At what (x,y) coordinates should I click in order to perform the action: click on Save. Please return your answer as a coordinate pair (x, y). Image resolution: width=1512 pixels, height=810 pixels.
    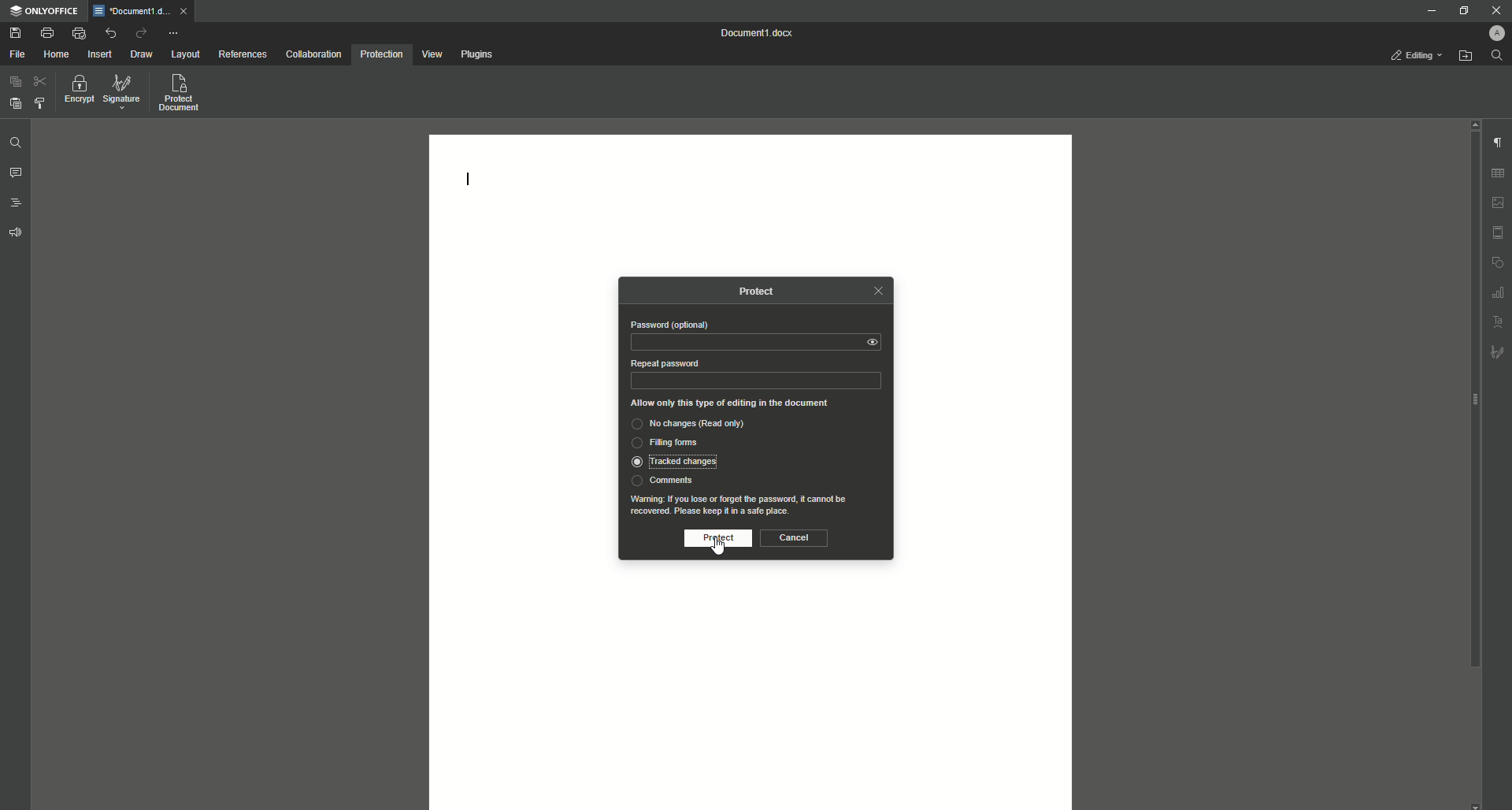
    Looking at the image, I should click on (13, 32).